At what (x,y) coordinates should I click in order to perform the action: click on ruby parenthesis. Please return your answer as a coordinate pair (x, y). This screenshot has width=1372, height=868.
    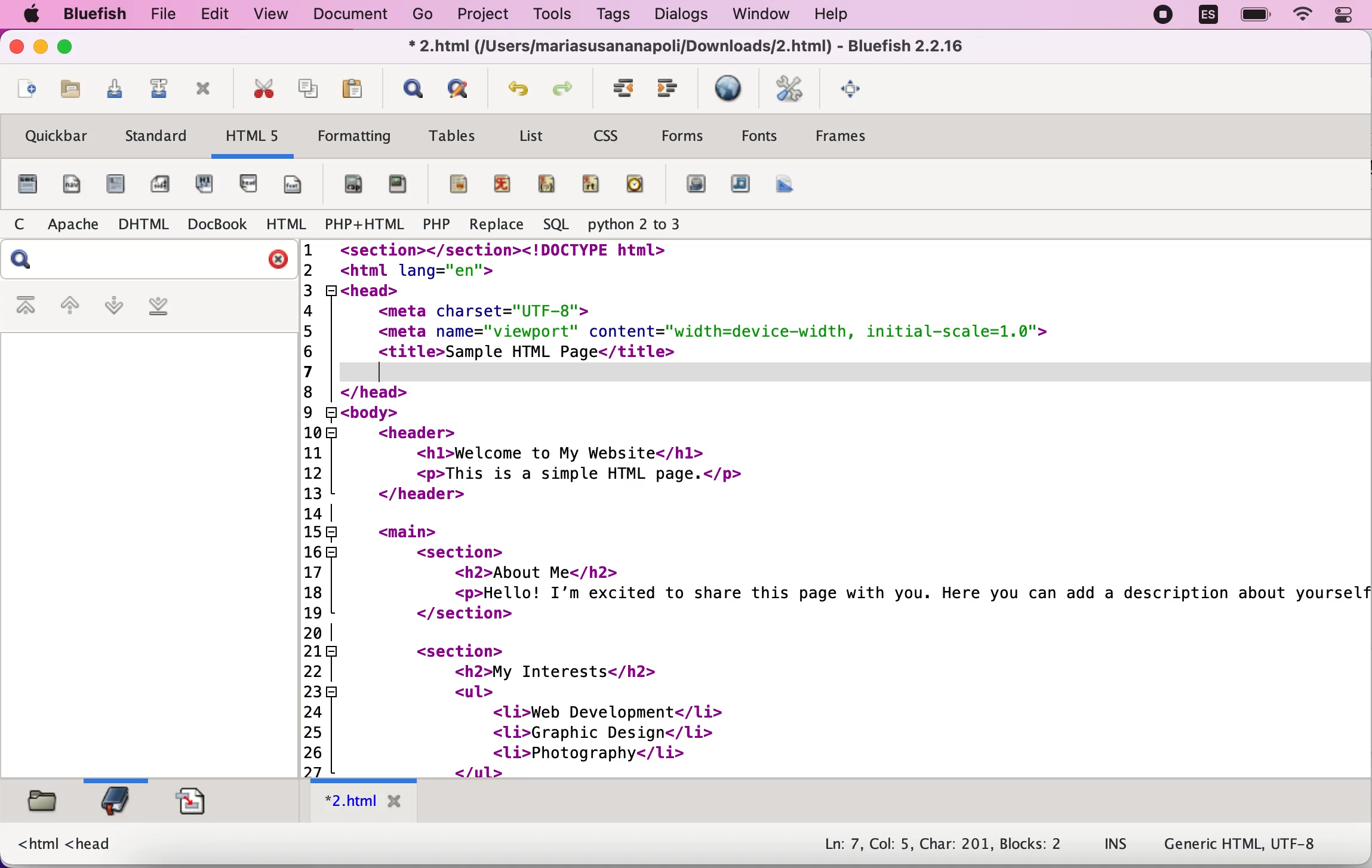
    Looking at the image, I should click on (548, 181).